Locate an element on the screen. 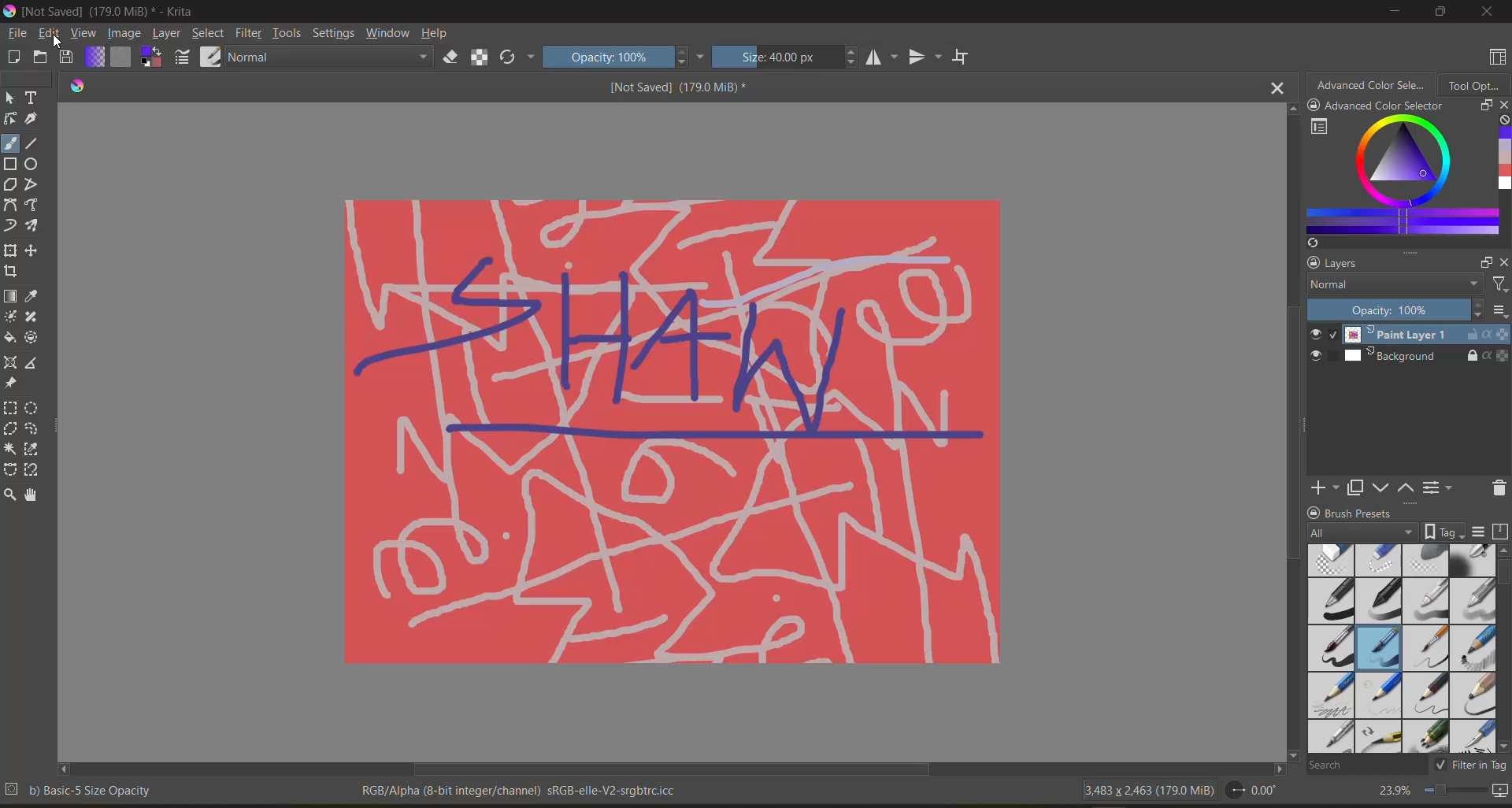  flip horizontally is located at coordinates (883, 57).